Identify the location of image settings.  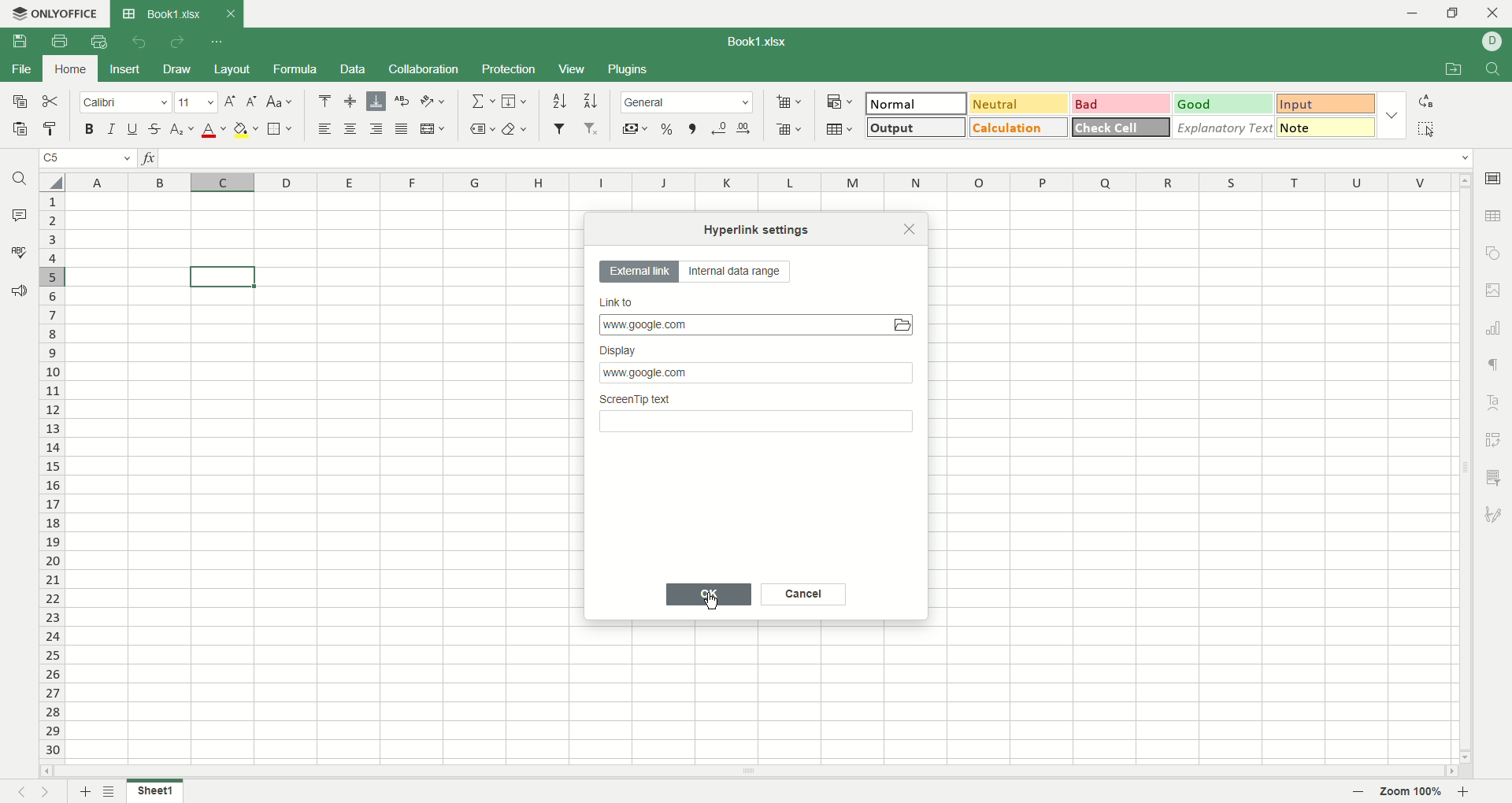
(1494, 290).